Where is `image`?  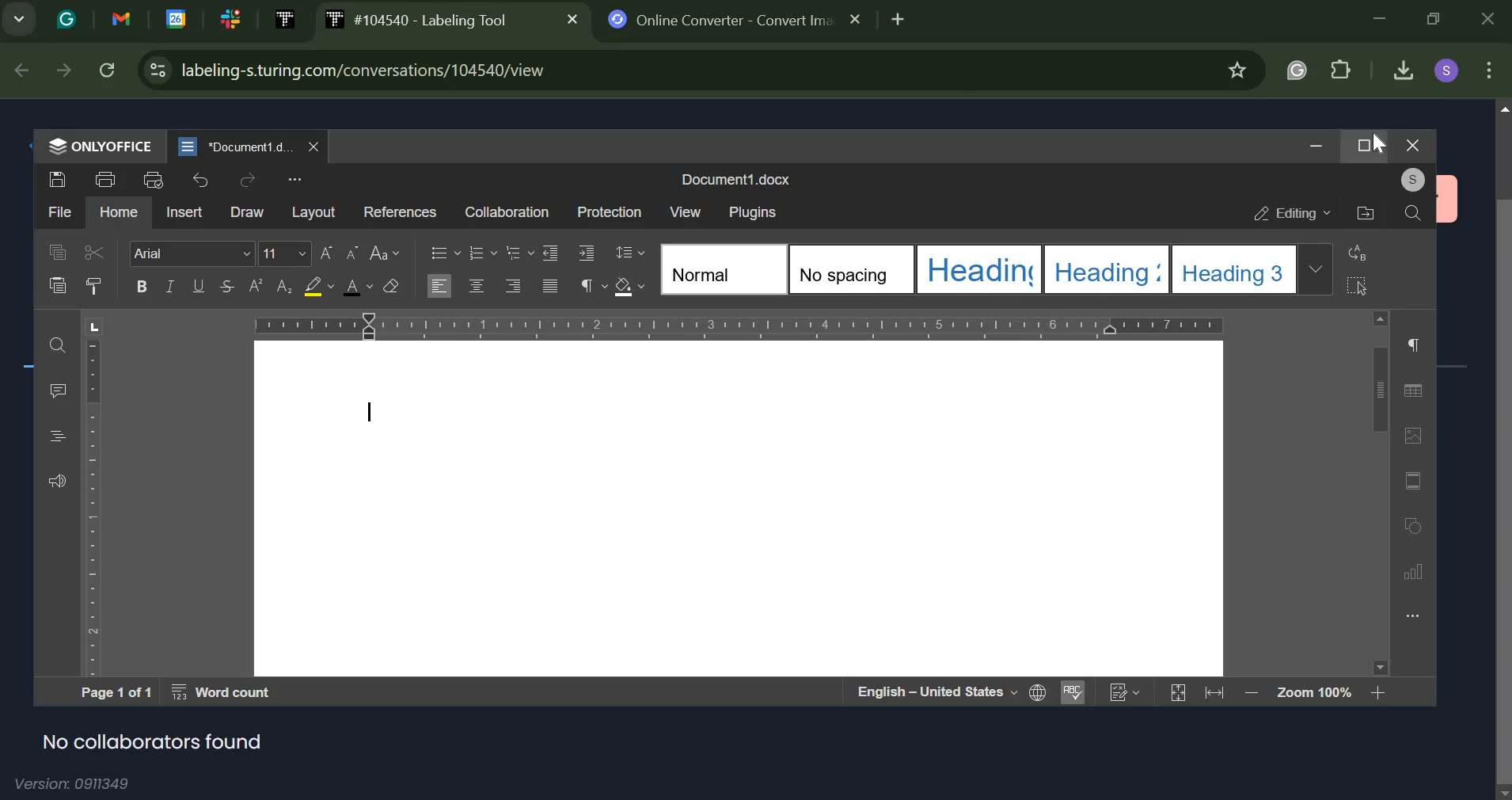 image is located at coordinates (1416, 436).